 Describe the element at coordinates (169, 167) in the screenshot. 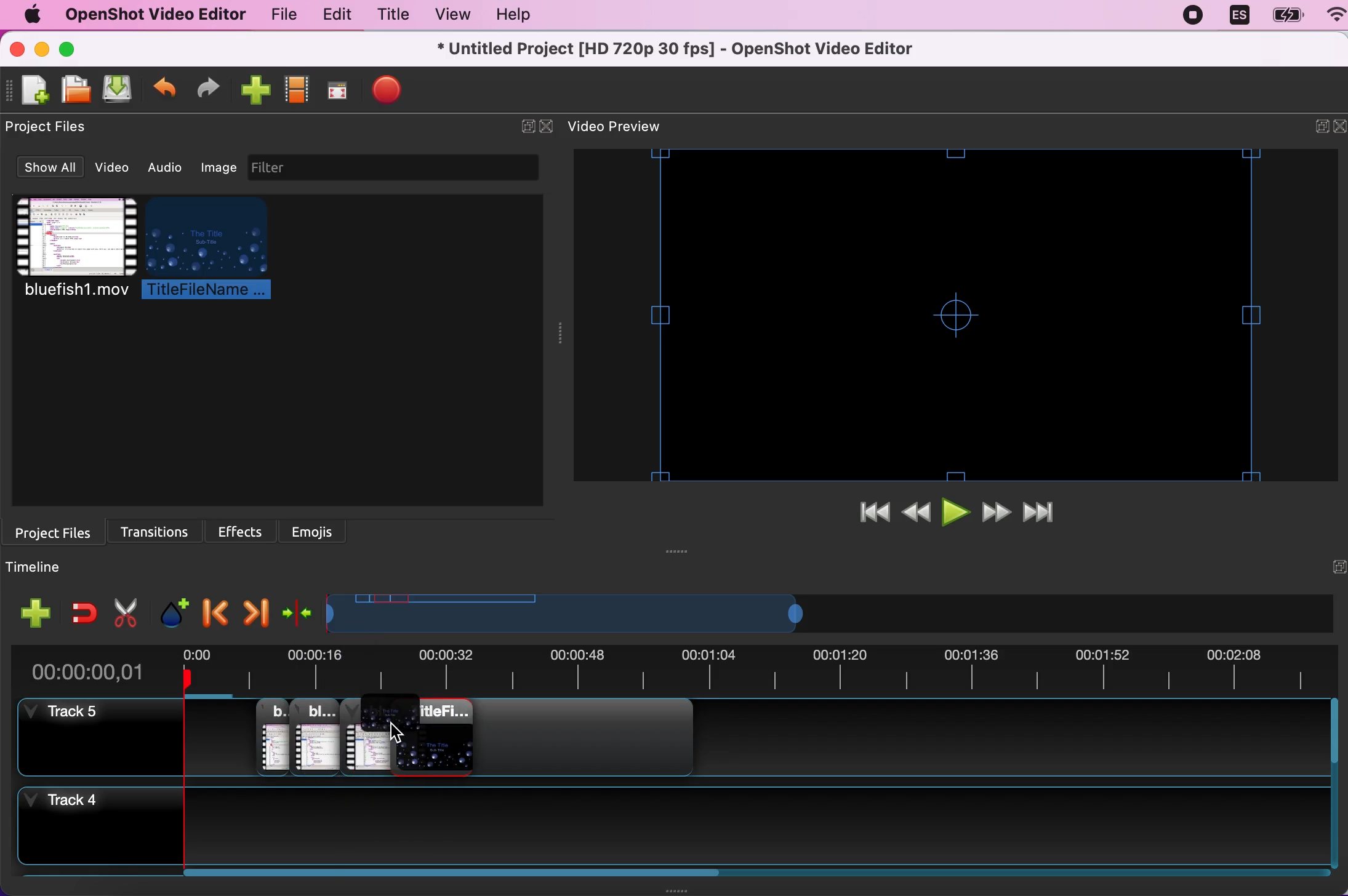

I see `audio` at that location.